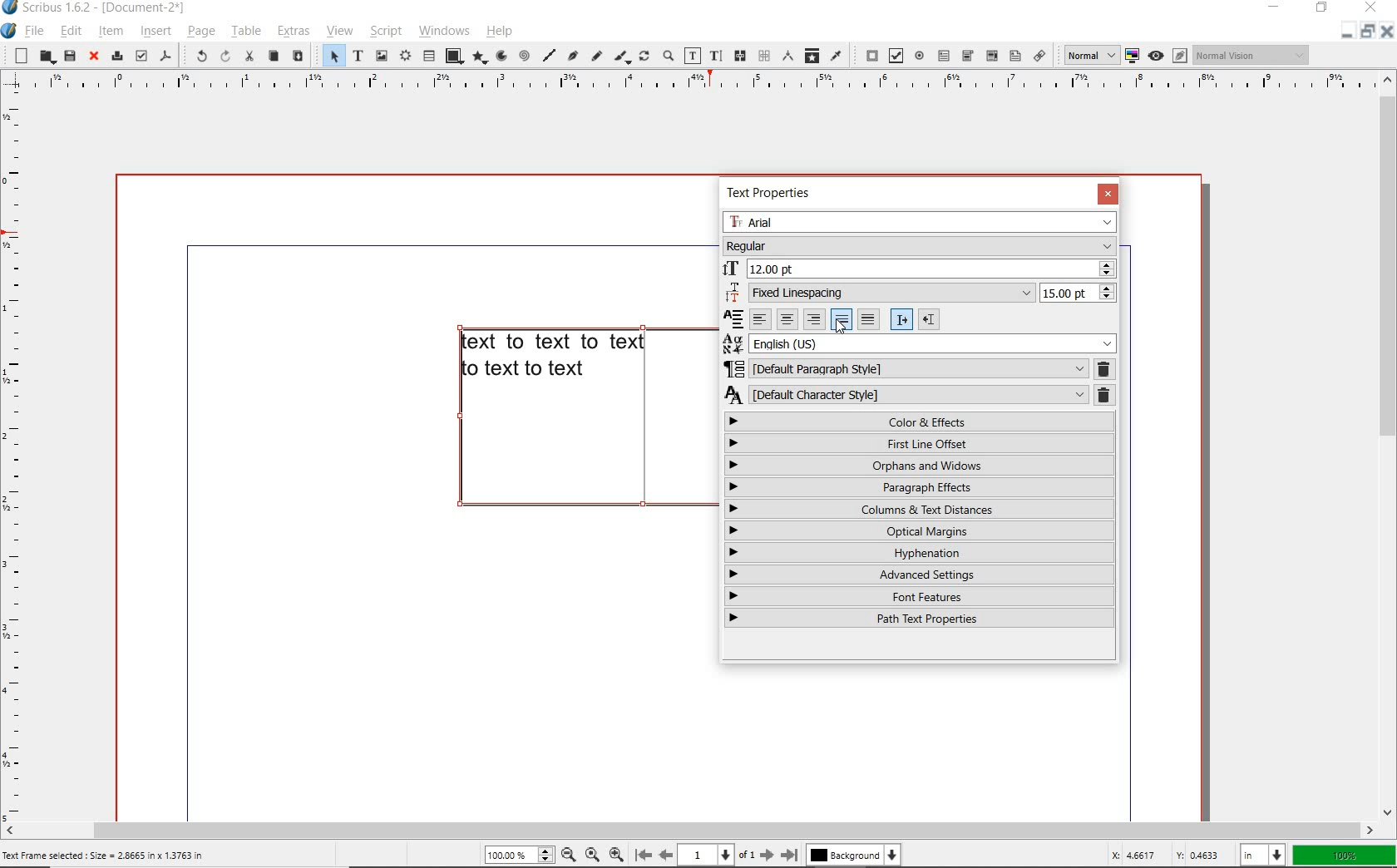 This screenshot has width=1397, height=868. Describe the element at coordinates (299, 57) in the screenshot. I see `paste` at that location.